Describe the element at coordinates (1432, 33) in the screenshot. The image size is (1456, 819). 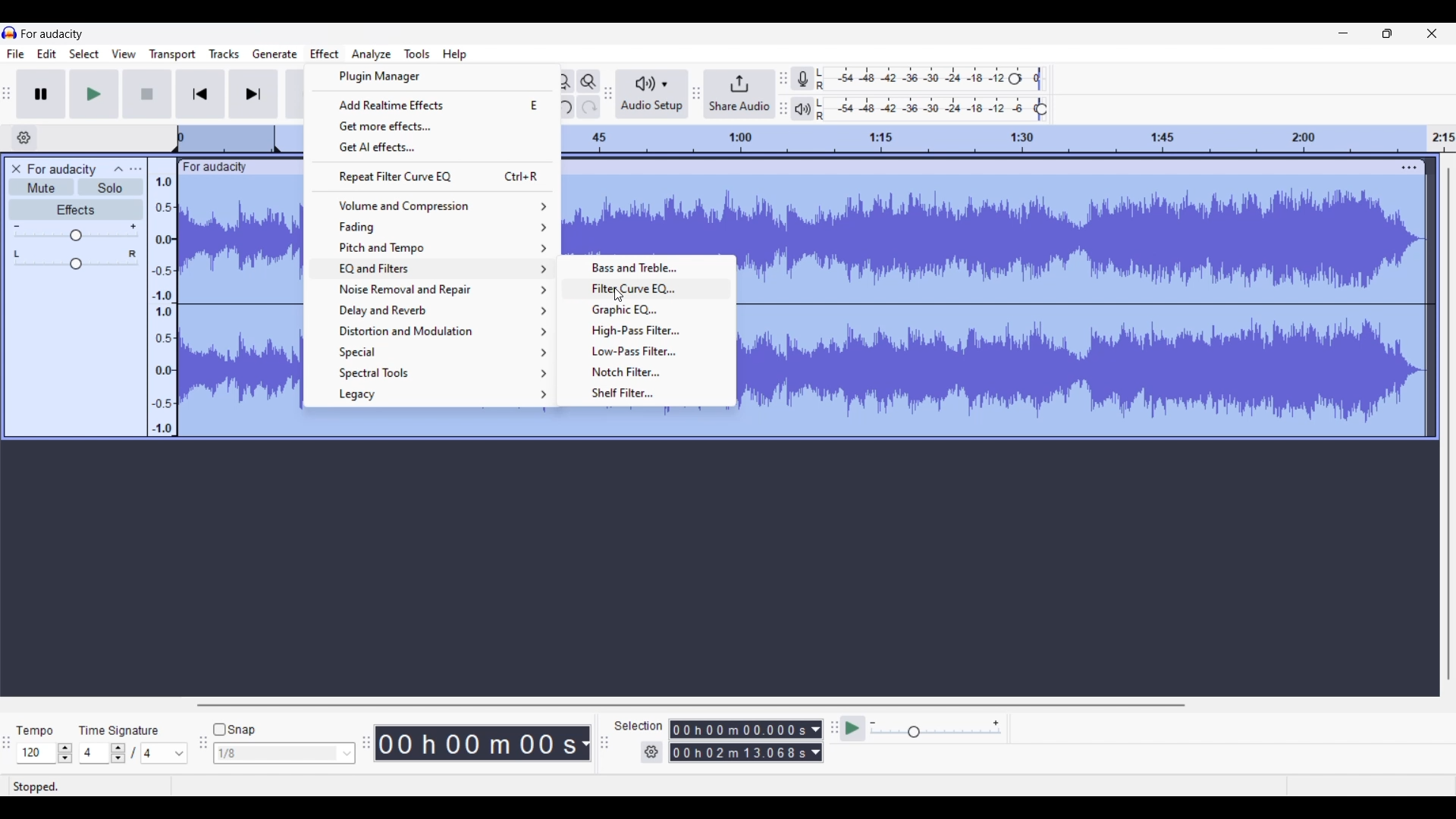
I see `Close interface` at that location.